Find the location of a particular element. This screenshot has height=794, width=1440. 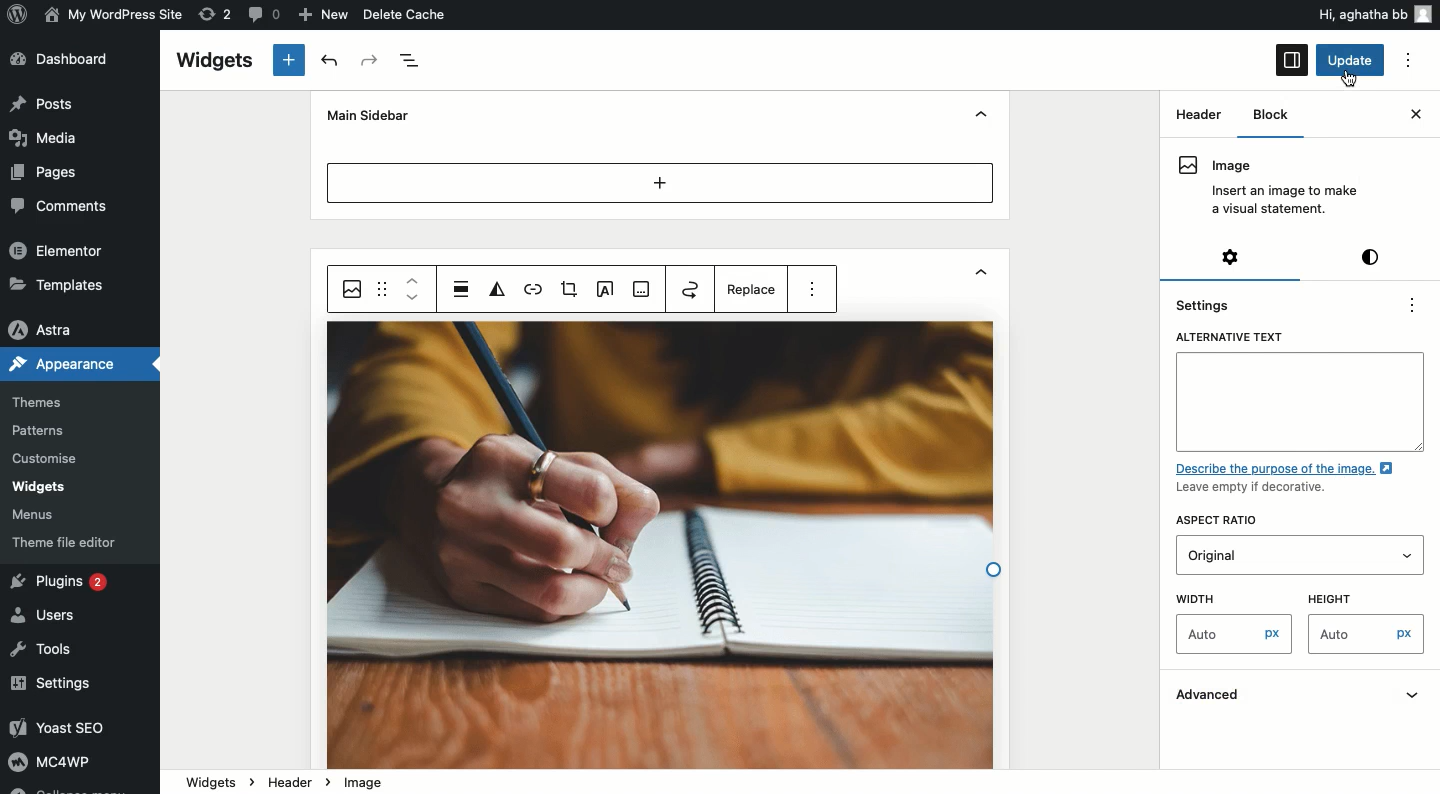

Advanced is located at coordinates (1302, 697).